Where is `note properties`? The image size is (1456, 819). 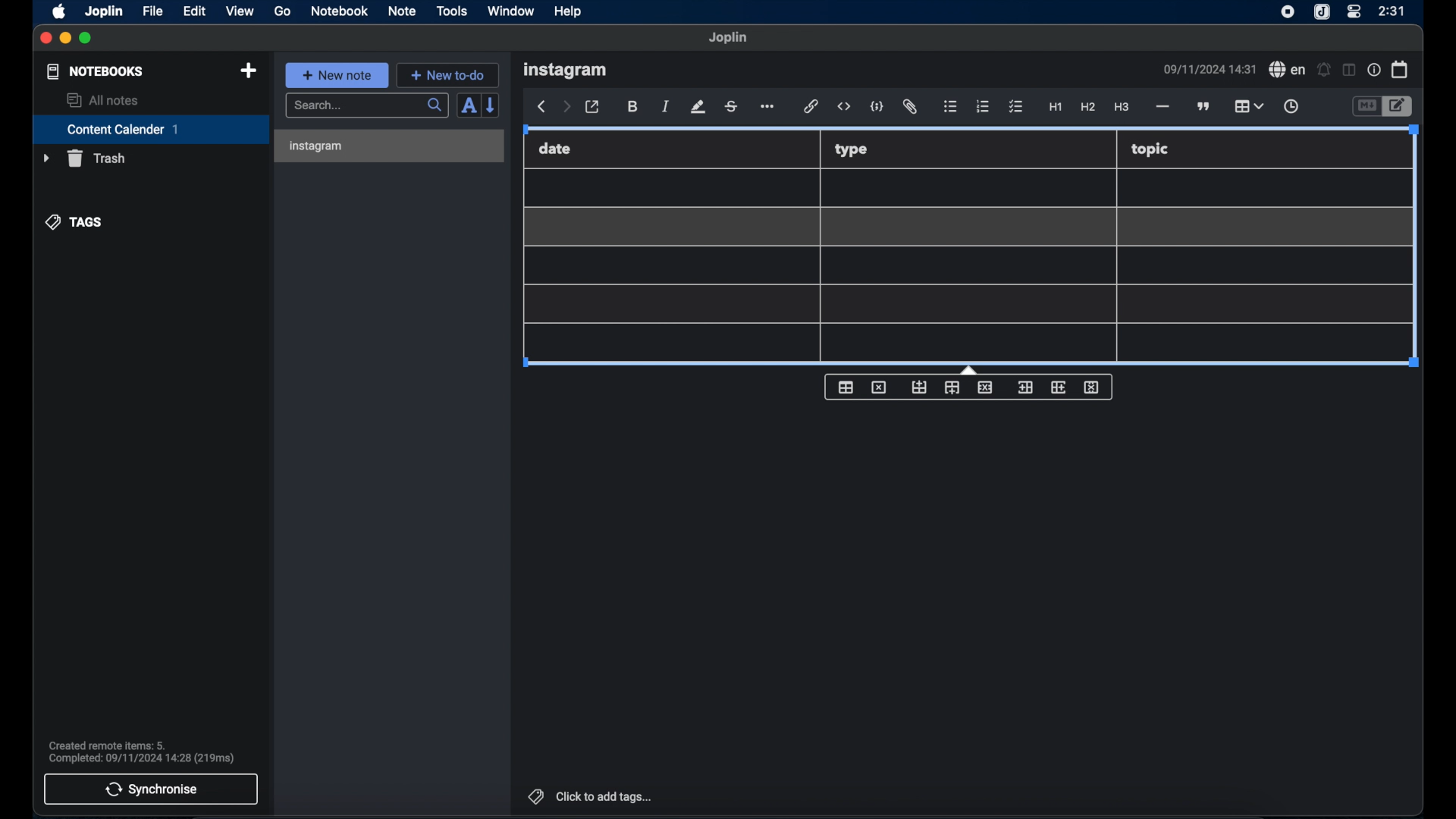 note properties is located at coordinates (1374, 69).